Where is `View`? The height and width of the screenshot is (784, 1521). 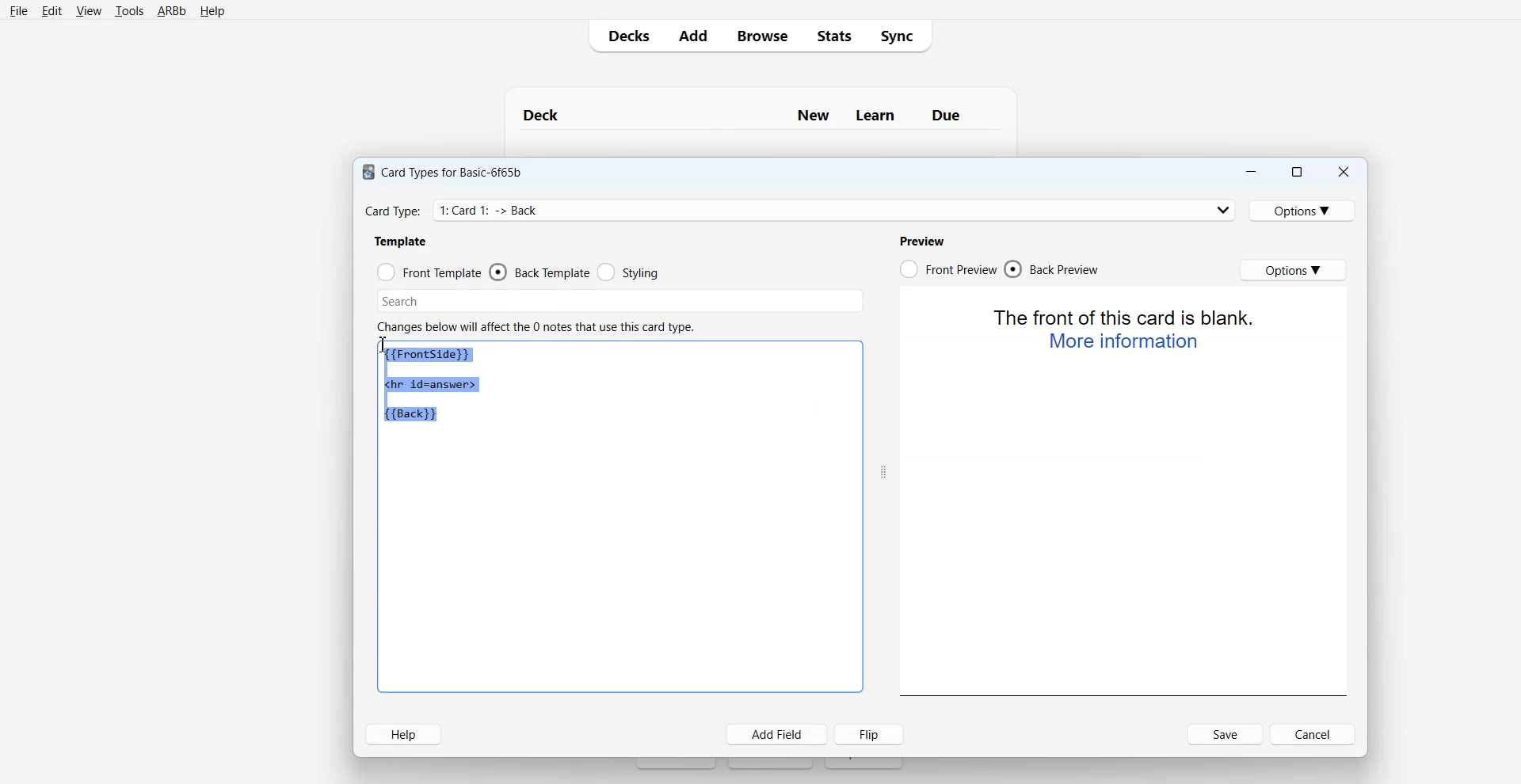 View is located at coordinates (87, 10).